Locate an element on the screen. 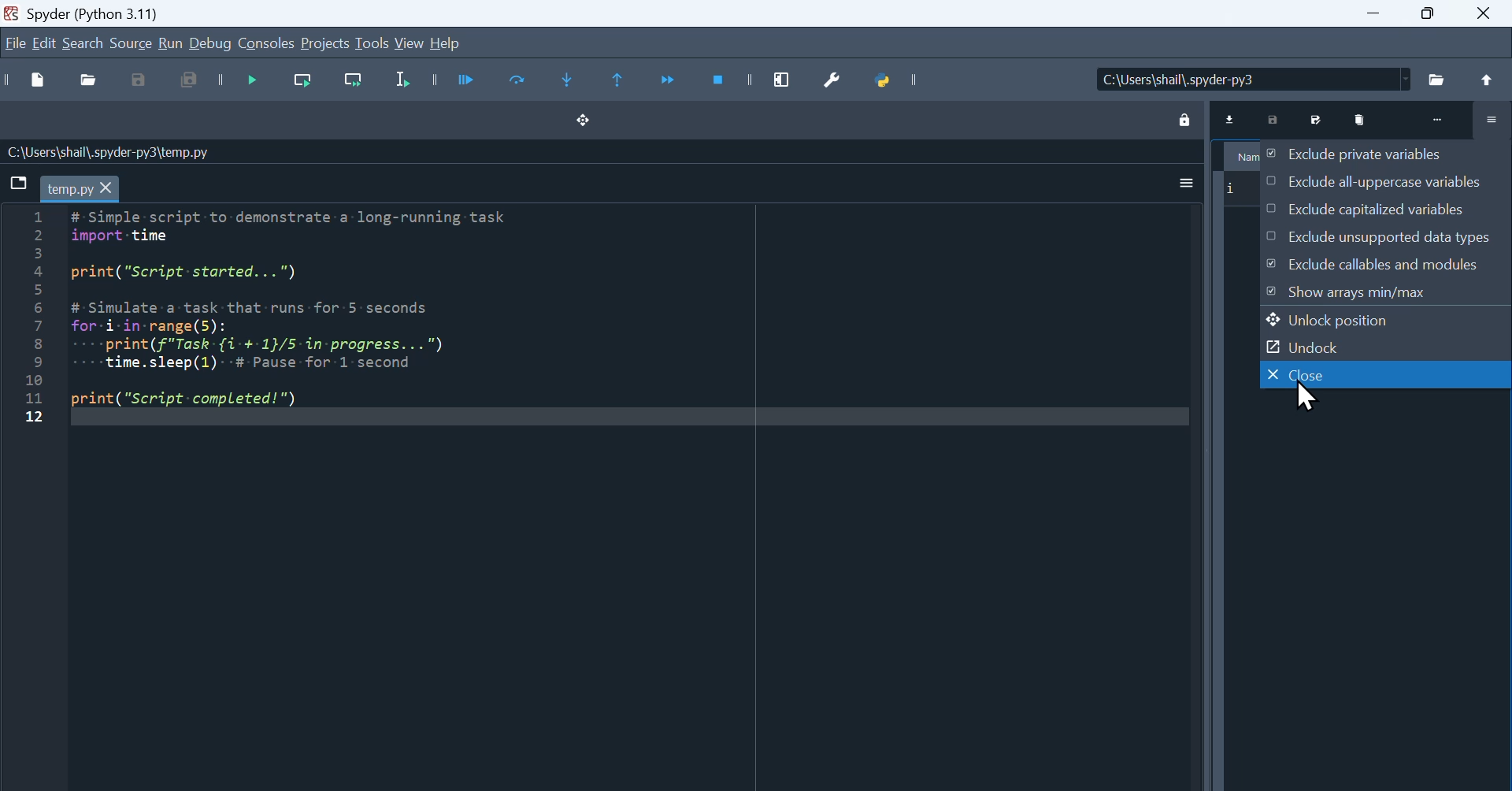 The height and width of the screenshot is (791, 1512). Exclude capitalized variables is located at coordinates (1385, 206).